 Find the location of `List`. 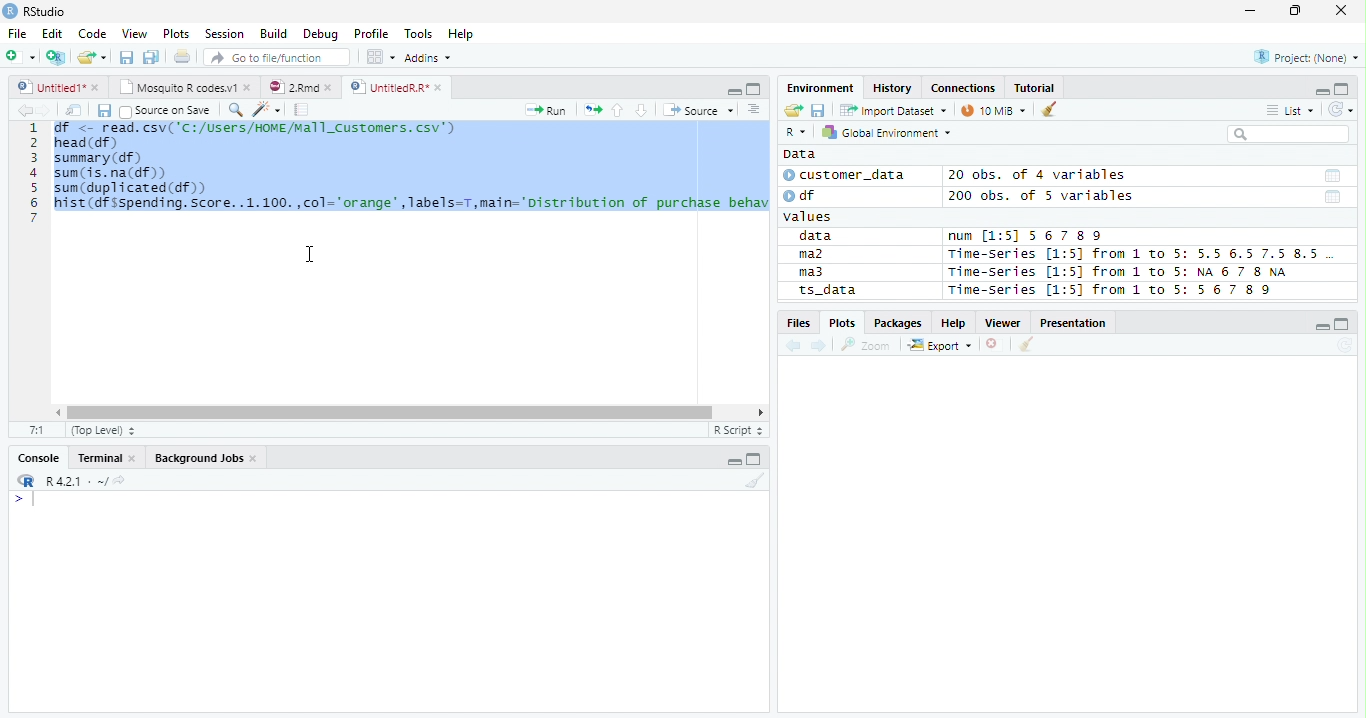

List is located at coordinates (1289, 111).